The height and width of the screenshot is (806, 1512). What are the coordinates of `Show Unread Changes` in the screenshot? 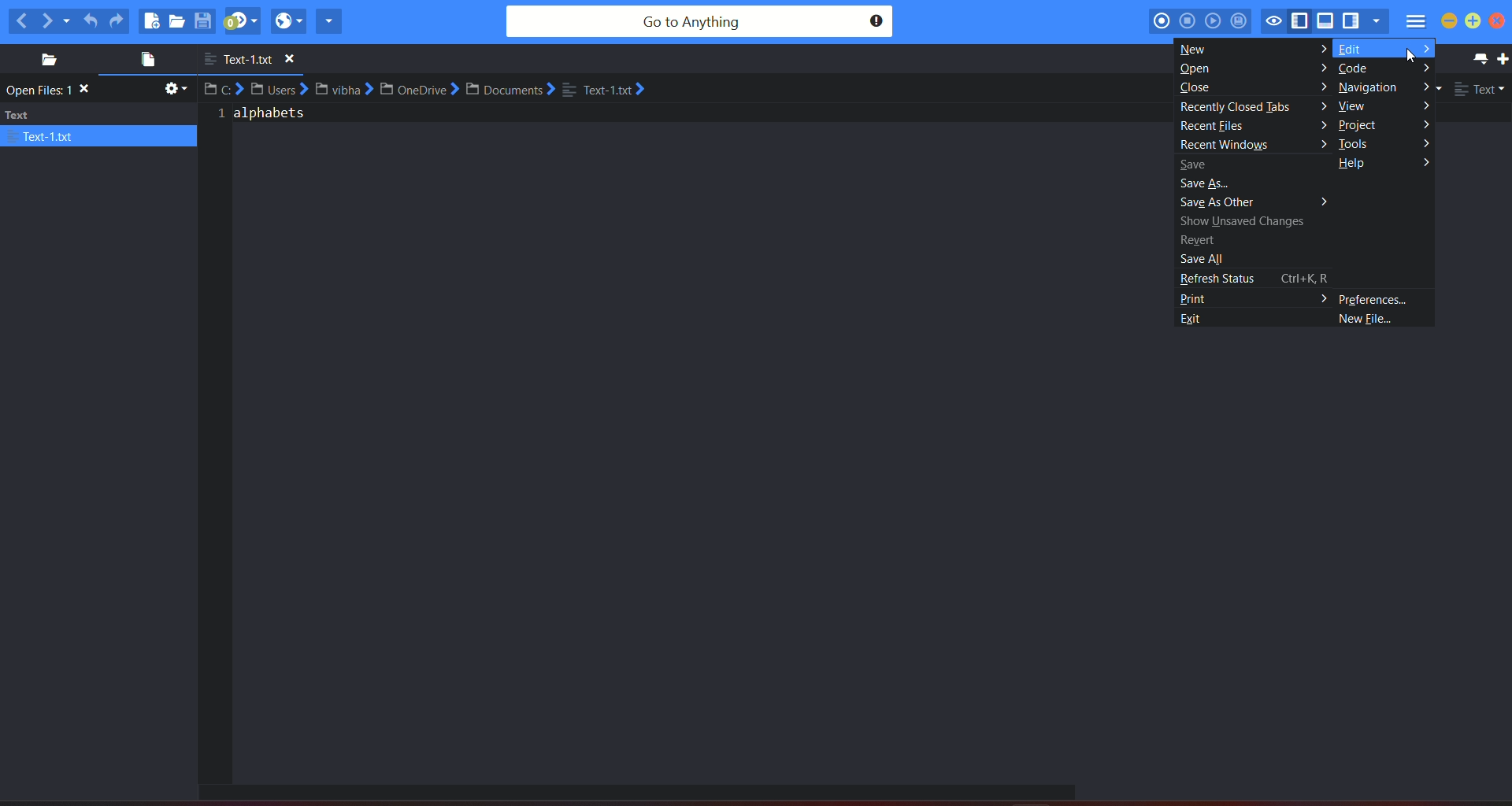 It's located at (1243, 221).